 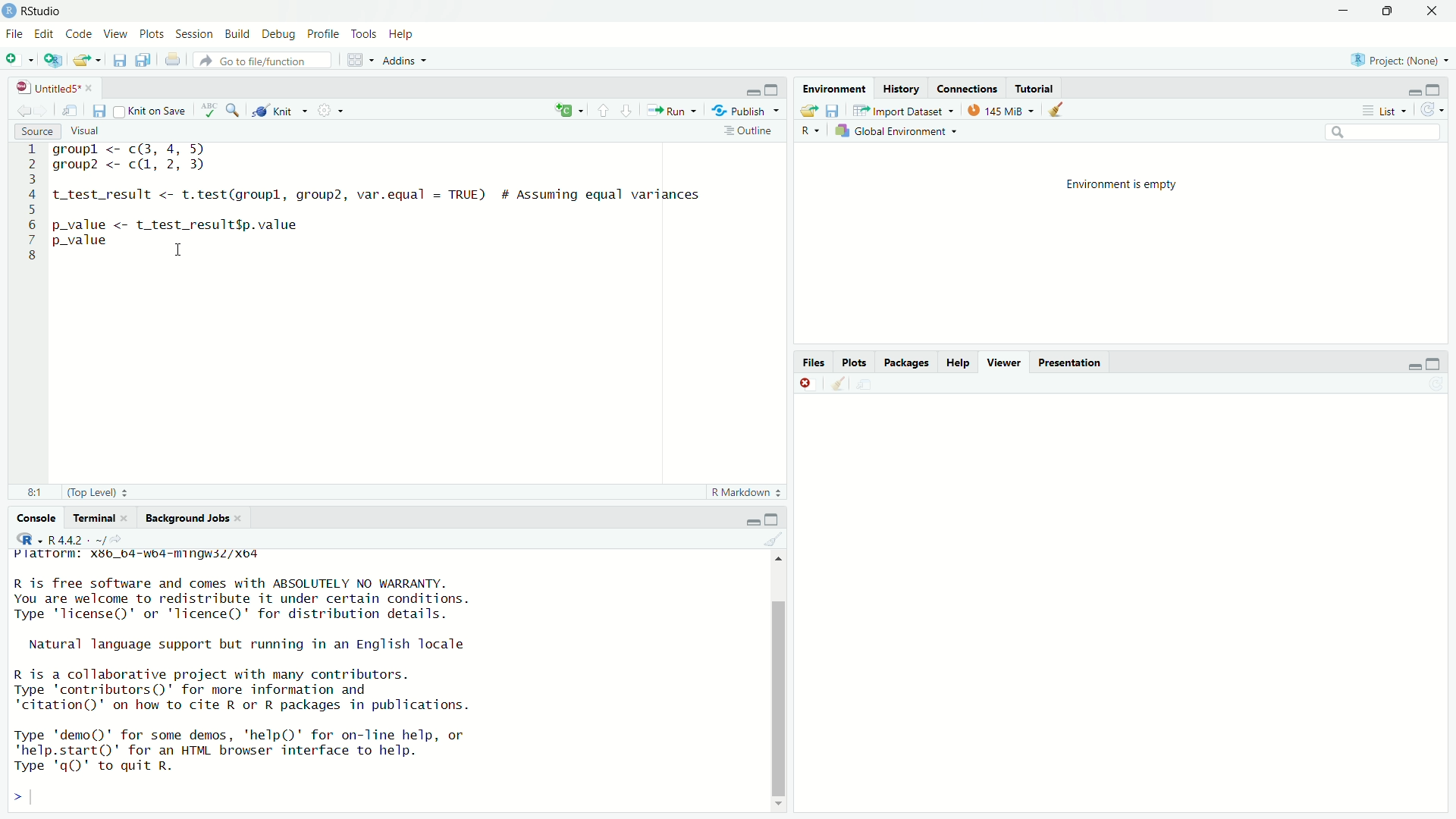 What do you see at coordinates (54, 58) in the screenshot?
I see `NEW PROJECT` at bounding box center [54, 58].